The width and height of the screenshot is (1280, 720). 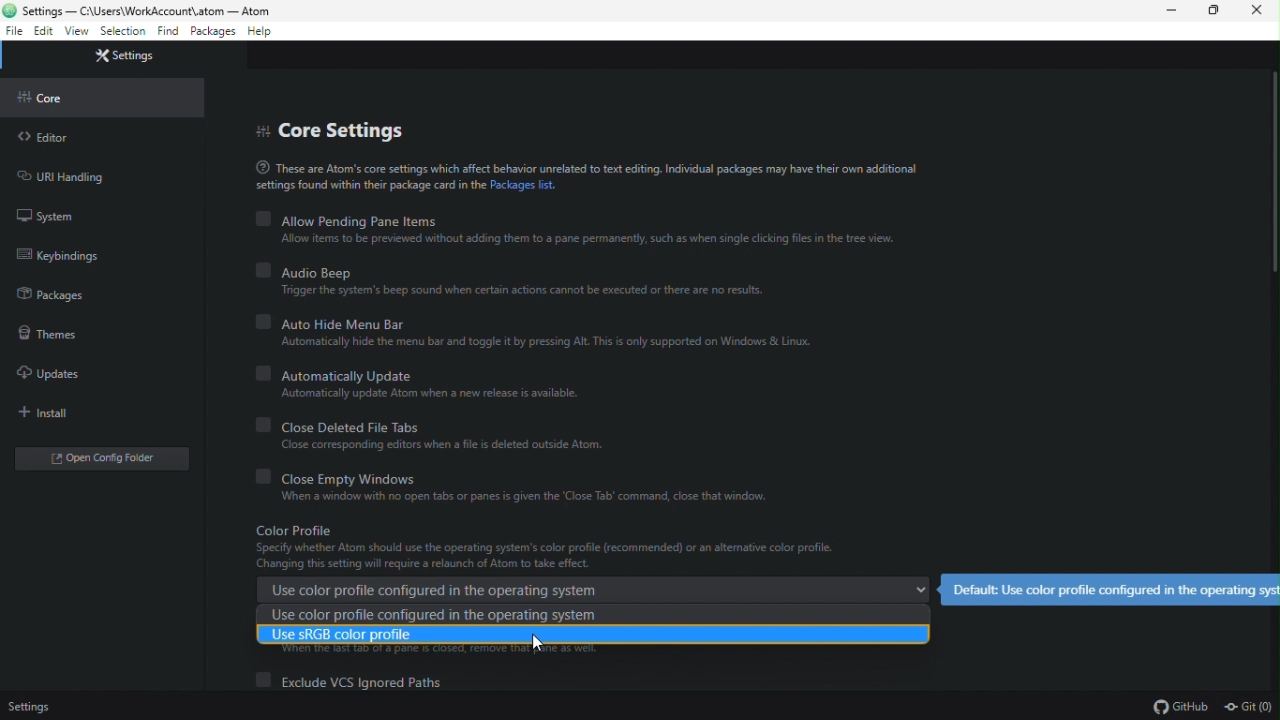 What do you see at coordinates (168, 32) in the screenshot?
I see `find ` at bounding box center [168, 32].